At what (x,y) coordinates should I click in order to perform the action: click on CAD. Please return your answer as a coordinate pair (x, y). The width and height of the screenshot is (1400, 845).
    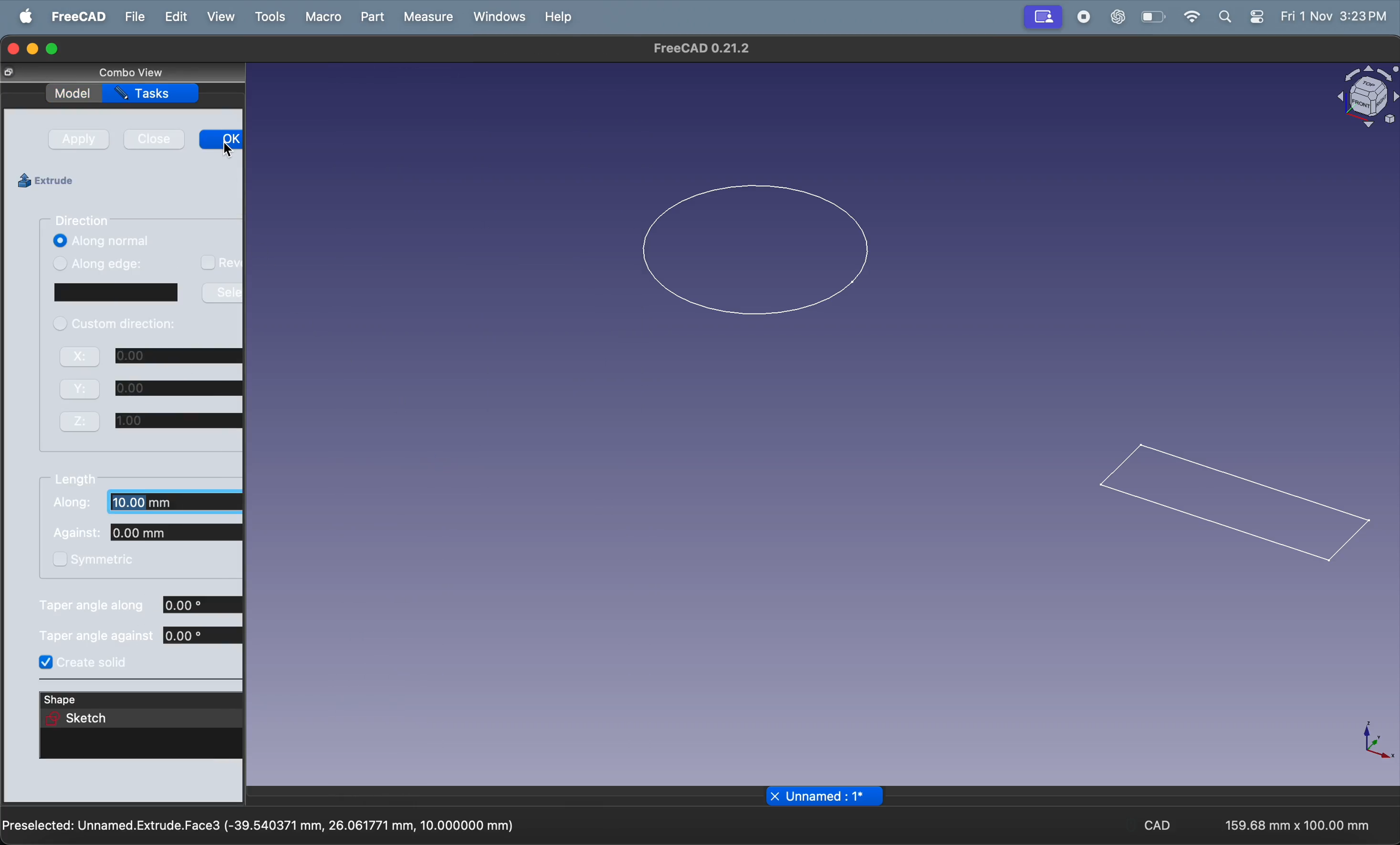
    Looking at the image, I should click on (1158, 824).